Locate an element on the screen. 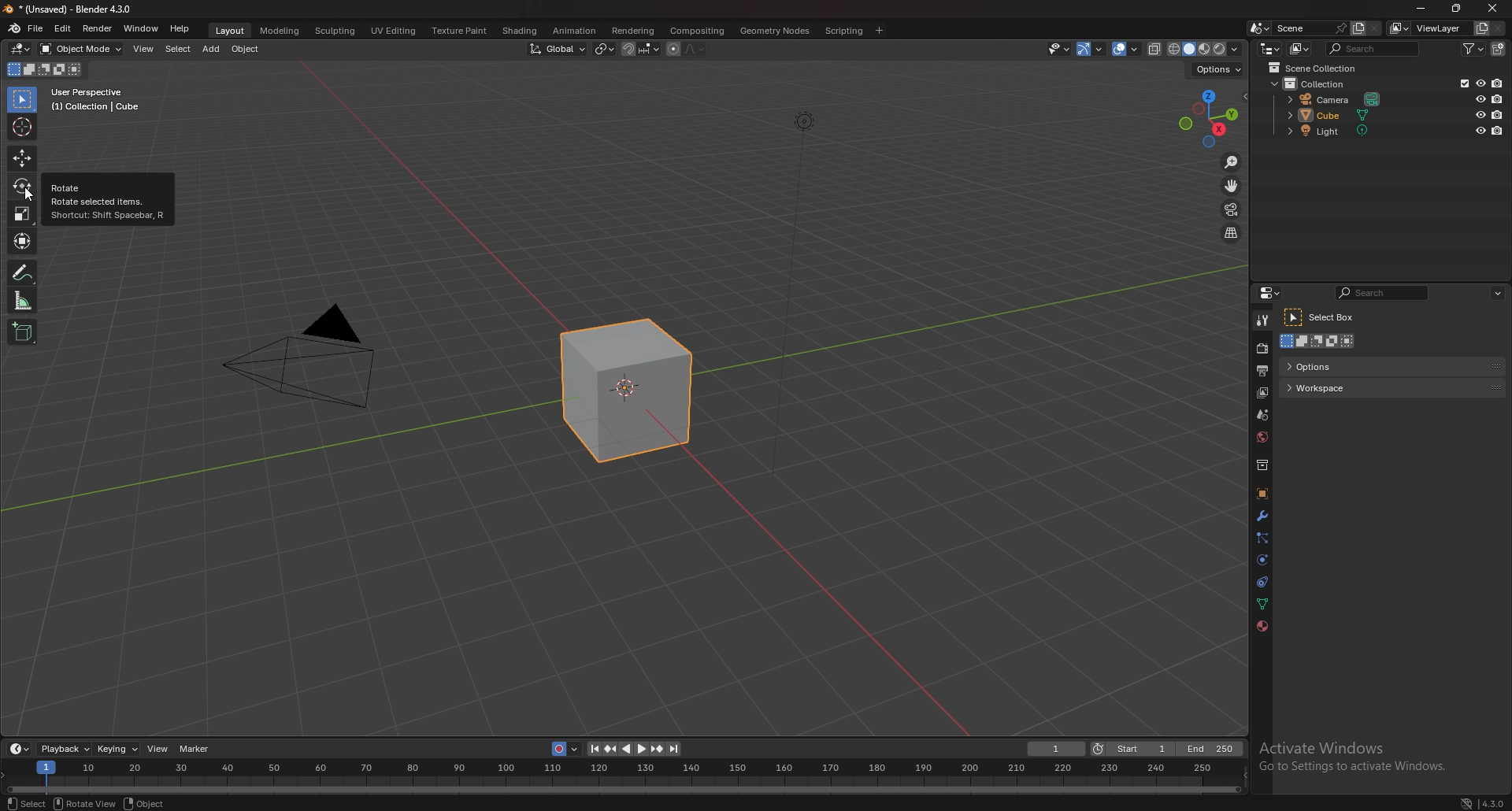 The width and height of the screenshot is (1512, 811). modifier is located at coordinates (1262, 515).